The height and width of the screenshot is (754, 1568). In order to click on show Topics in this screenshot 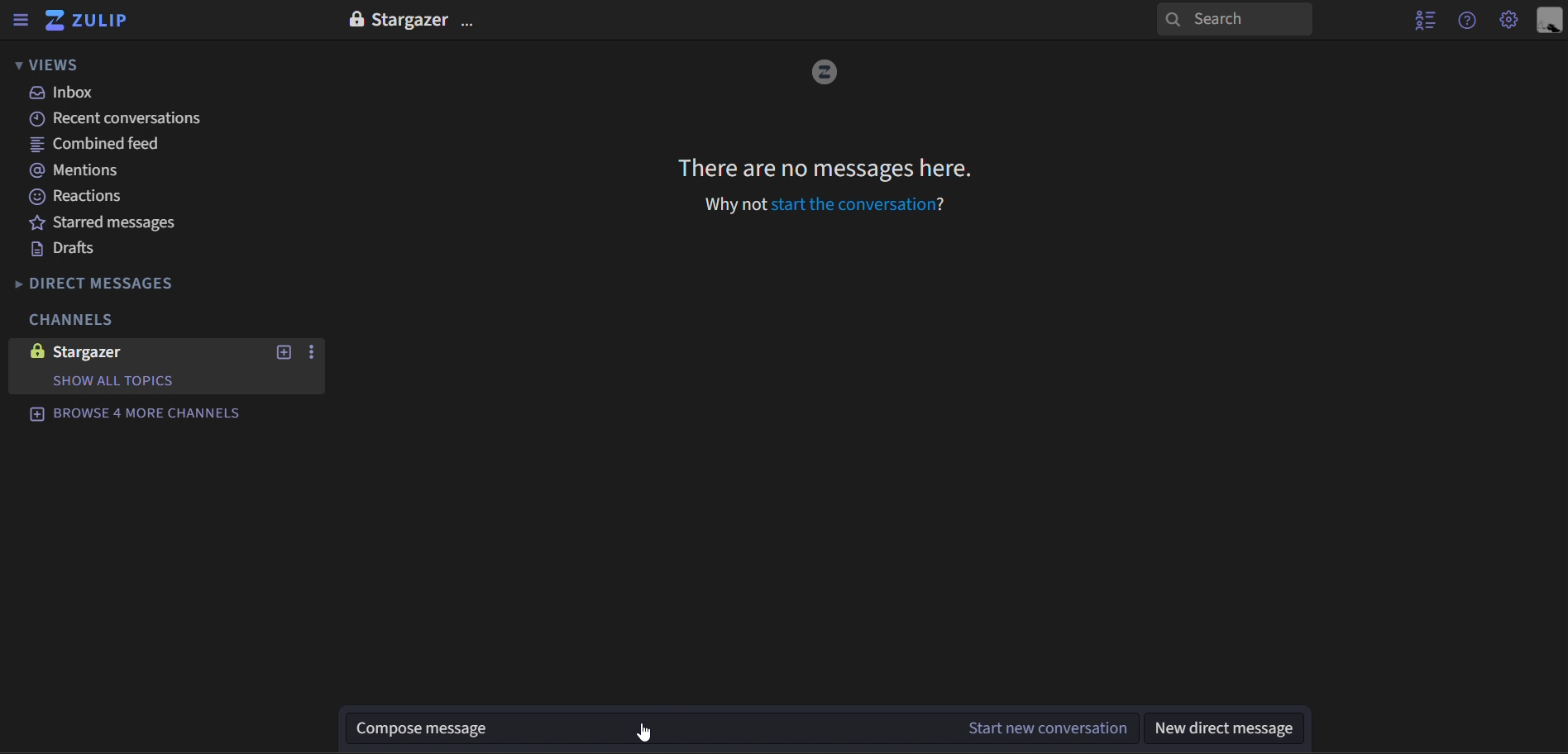, I will do `click(118, 381)`.